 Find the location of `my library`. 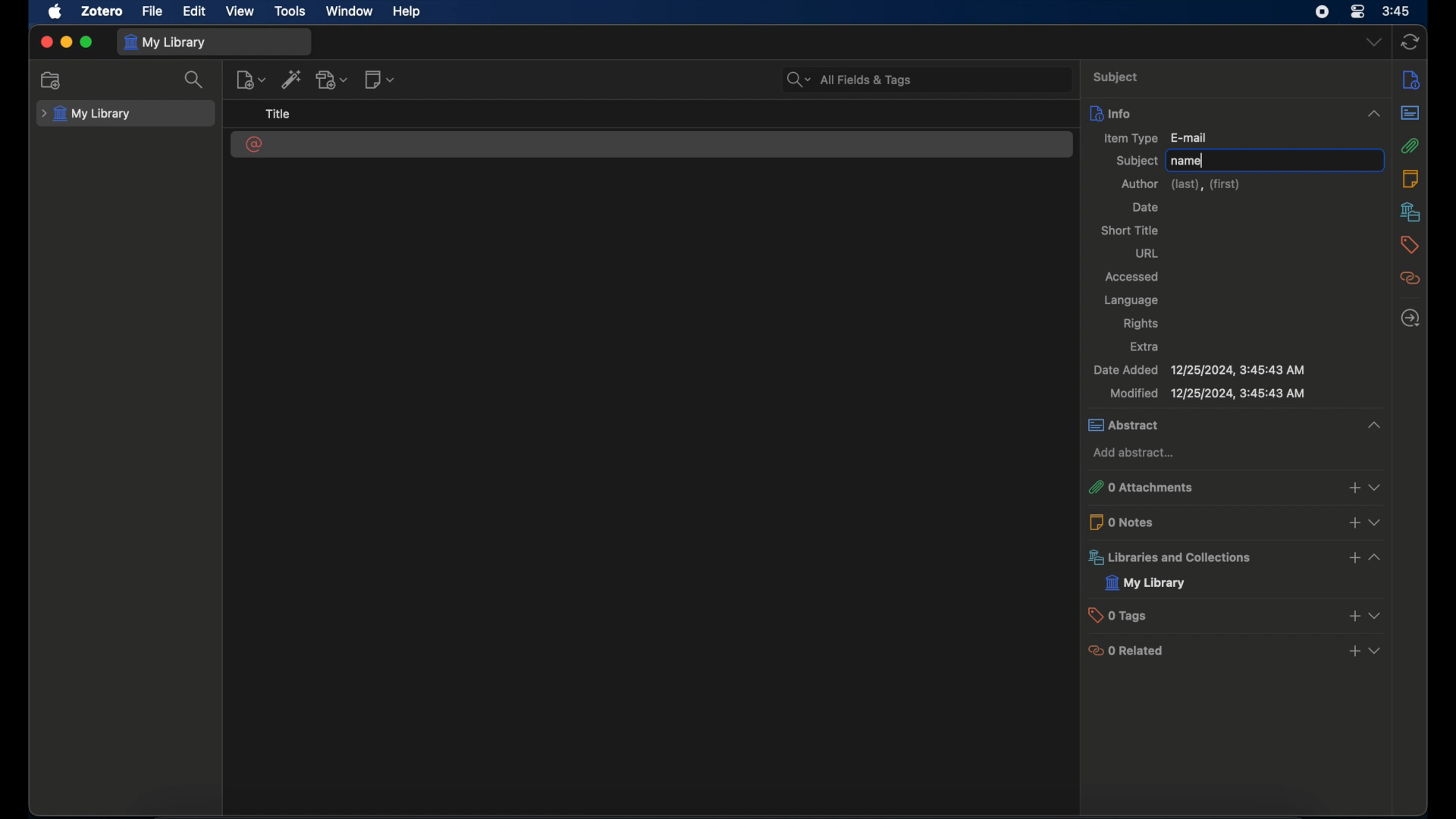

my library is located at coordinates (86, 114).